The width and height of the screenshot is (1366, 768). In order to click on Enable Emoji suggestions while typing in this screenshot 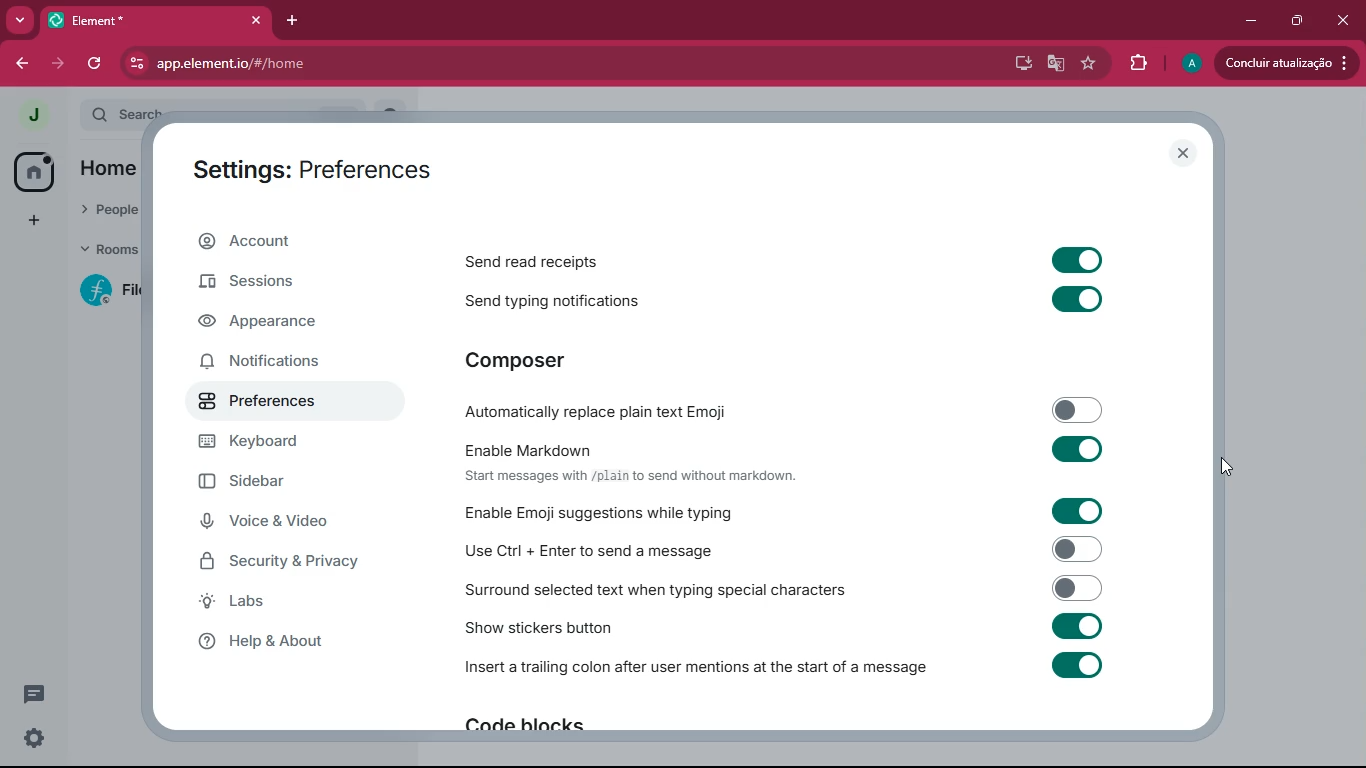, I will do `click(779, 510)`.